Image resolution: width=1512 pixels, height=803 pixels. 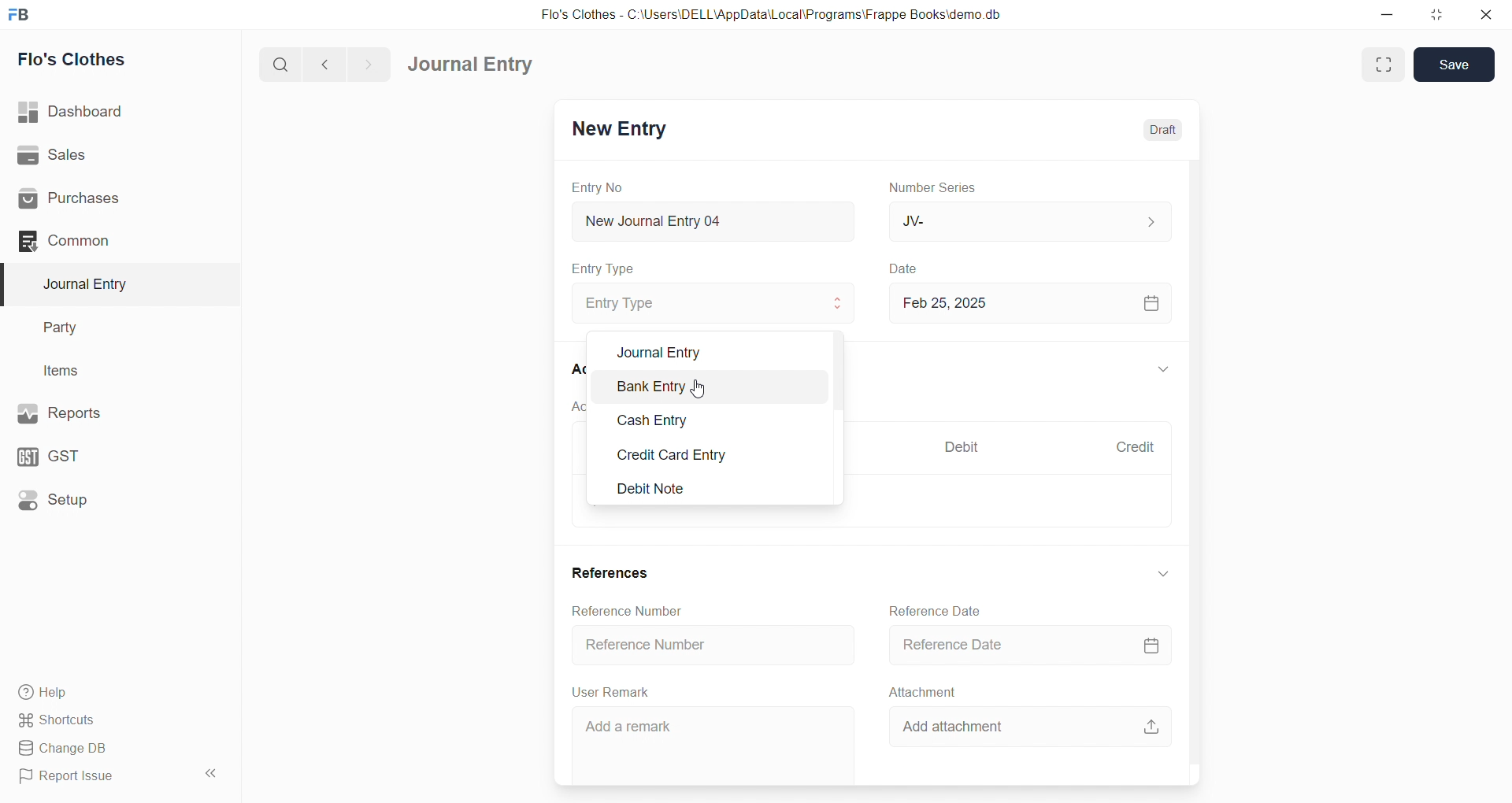 What do you see at coordinates (283, 63) in the screenshot?
I see `search` at bounding box center [283, 63].